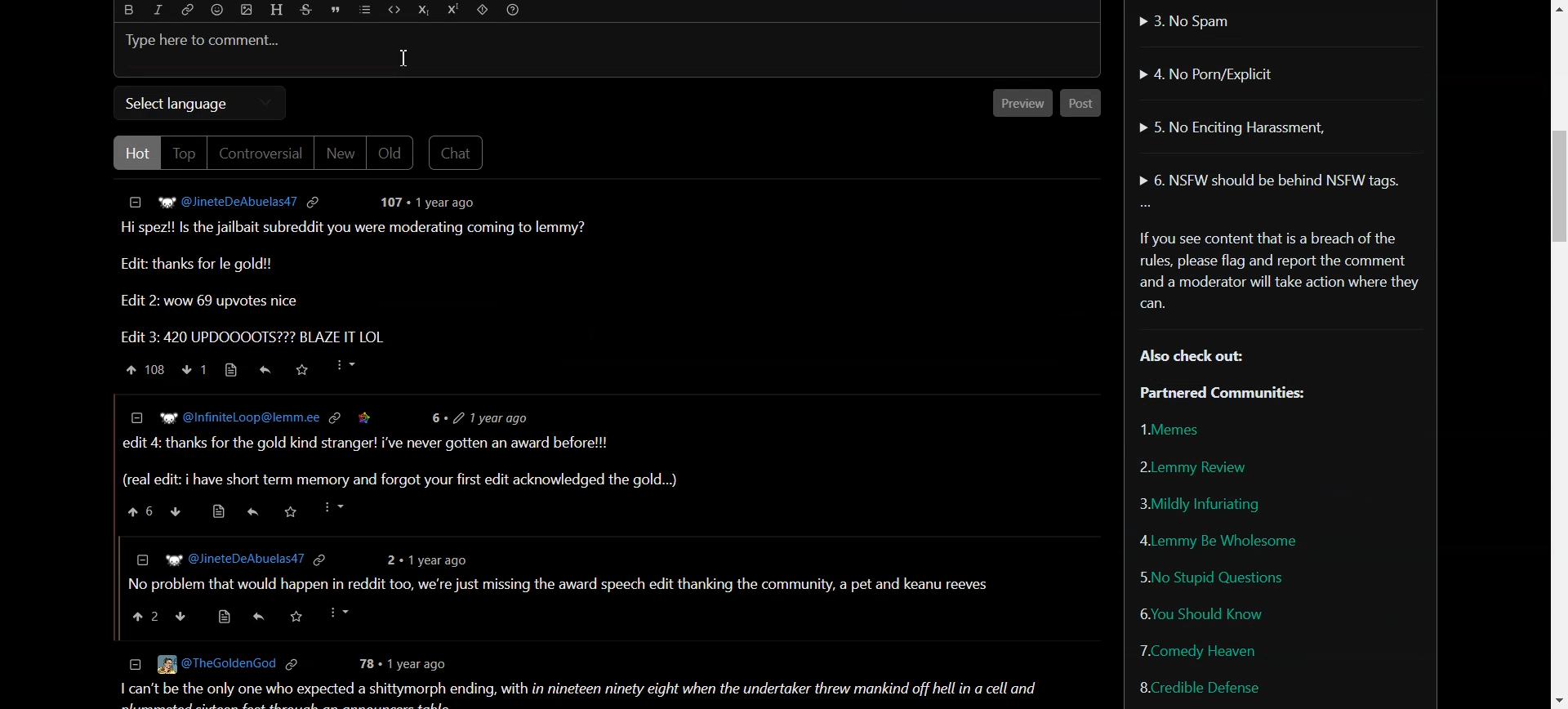  What do you see at coordinates (367, 417) in the screenshot?
I see `saved` at bounding box center [367, 417].